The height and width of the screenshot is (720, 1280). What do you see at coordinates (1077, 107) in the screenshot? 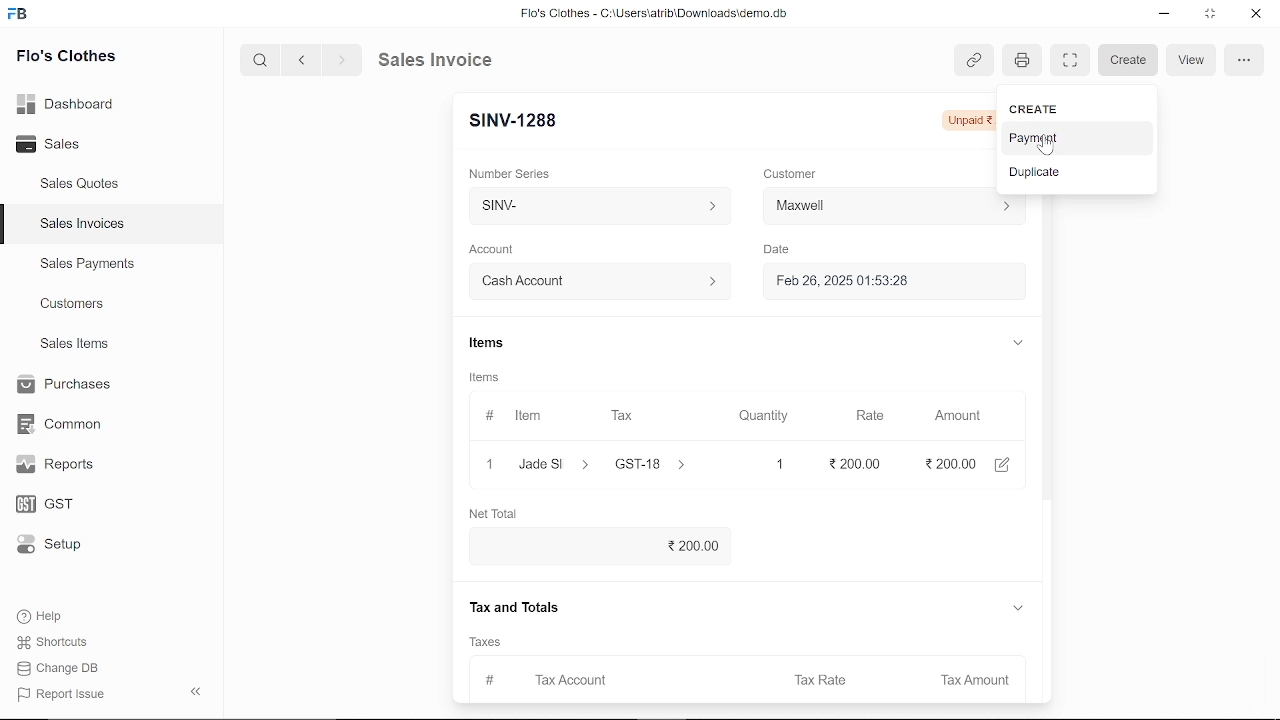
I see `CREATE` at bounding box center [1077, 107].